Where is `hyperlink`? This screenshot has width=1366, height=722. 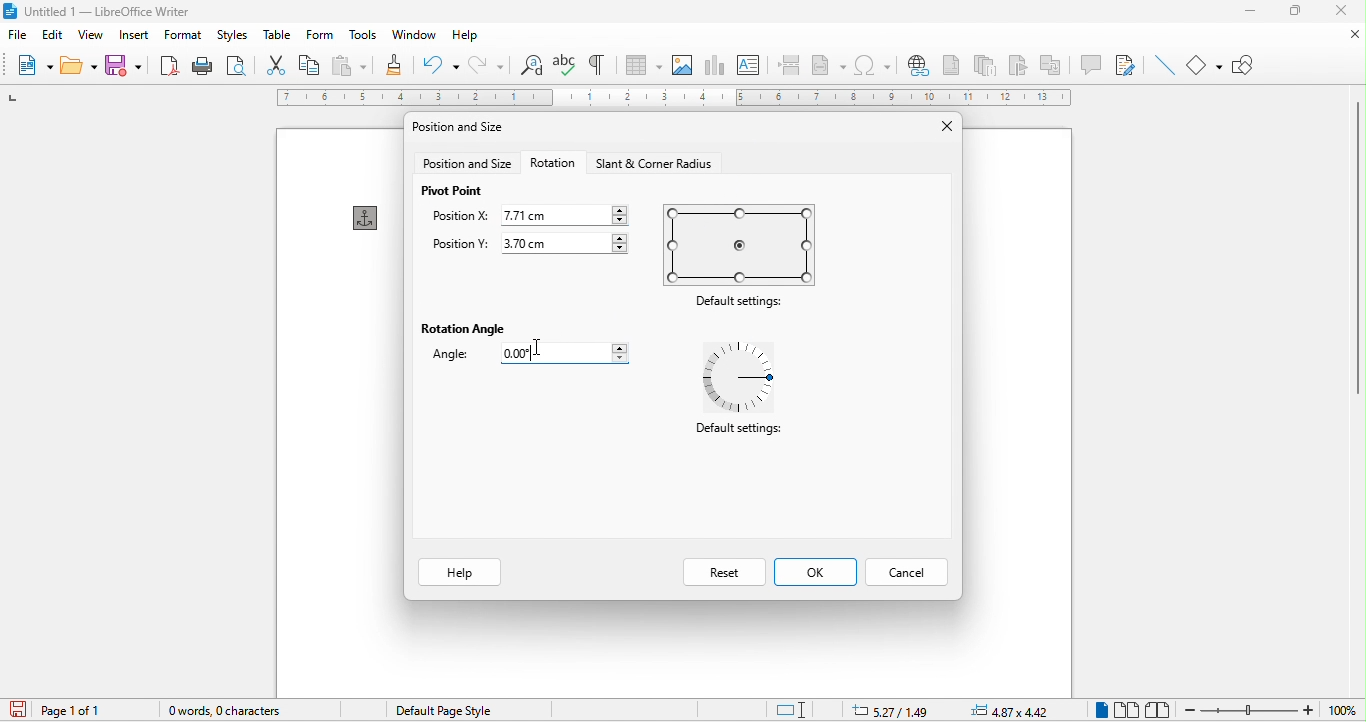
hyperlink is located at coordinates (916, 65).